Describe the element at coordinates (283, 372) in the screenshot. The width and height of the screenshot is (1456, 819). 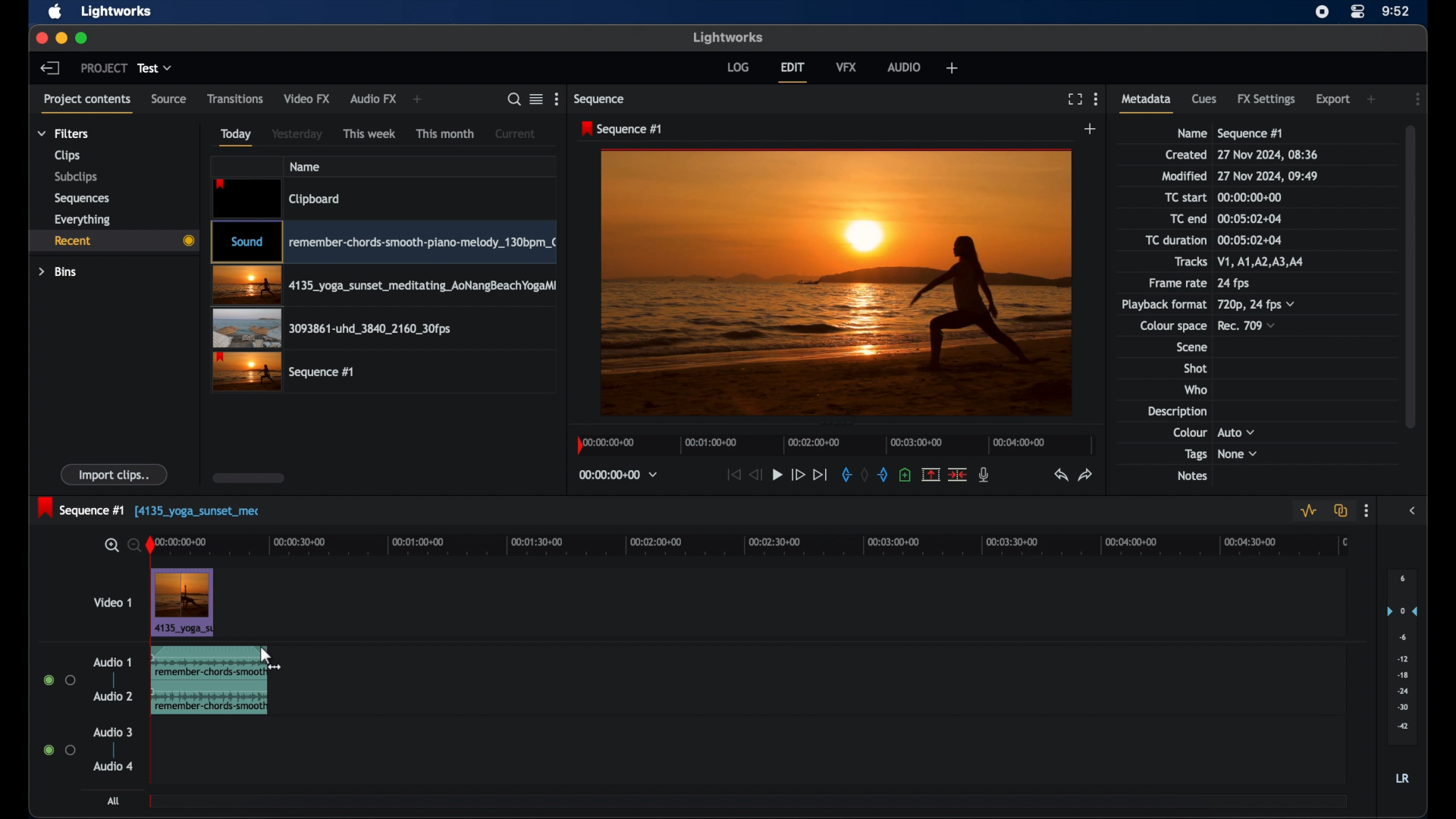
I see `video clip` at that location.